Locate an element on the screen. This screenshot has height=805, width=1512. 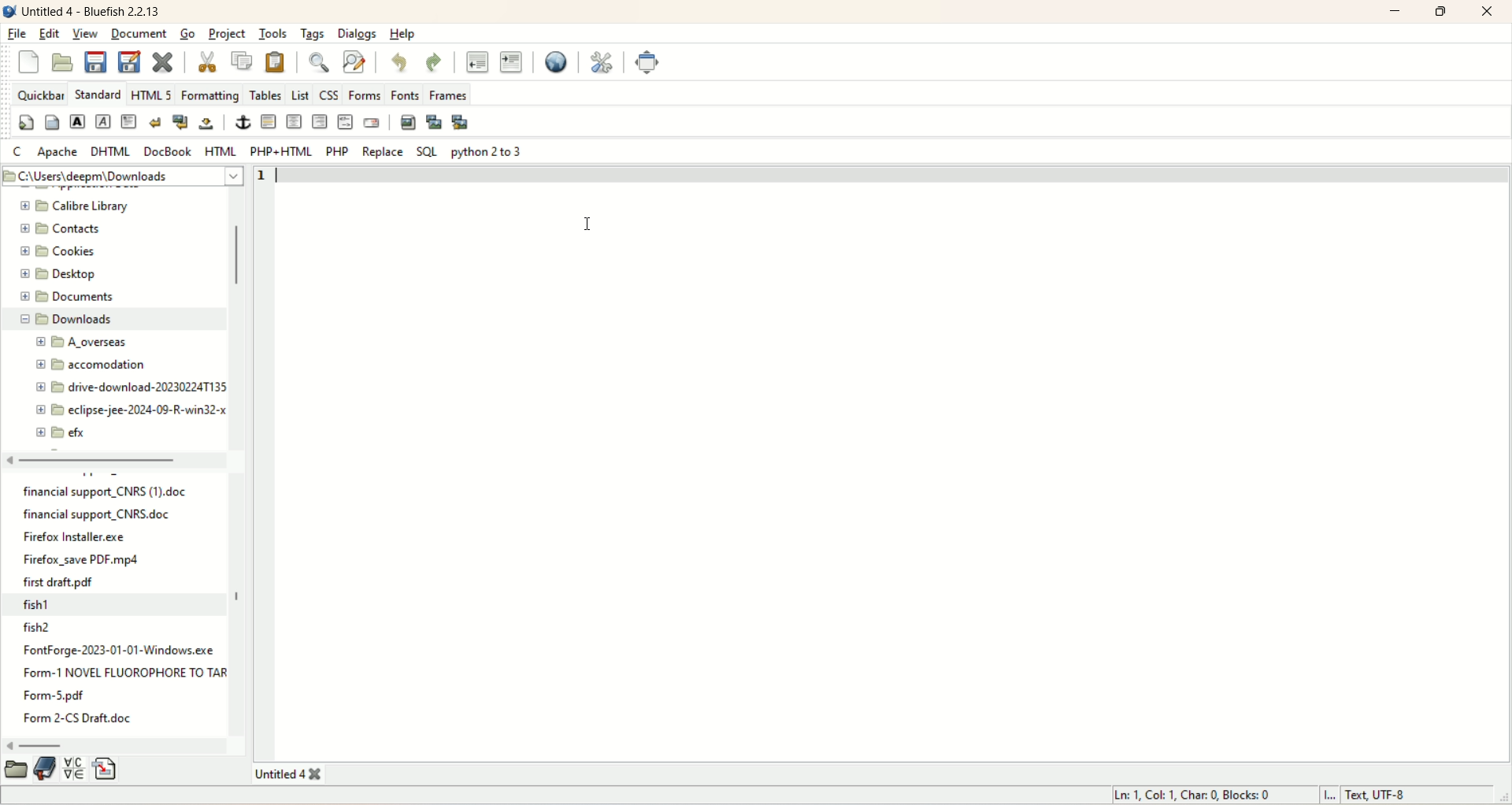
DHTML is located at coordinates (112, 154).